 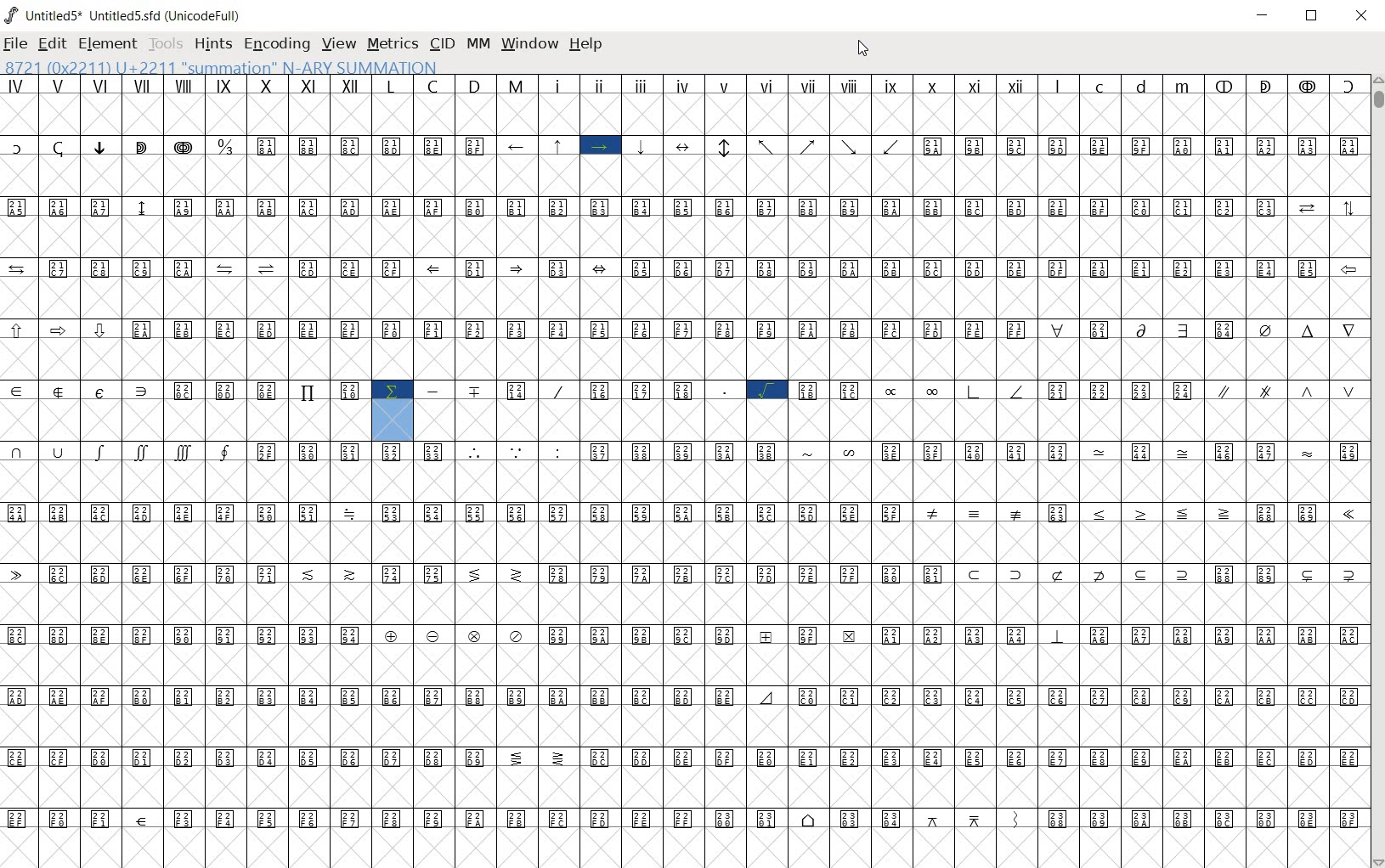 What do you see at coordinates (685, 114) in the screenshot?
I see `empty cells` at bounding box center [685, 114].